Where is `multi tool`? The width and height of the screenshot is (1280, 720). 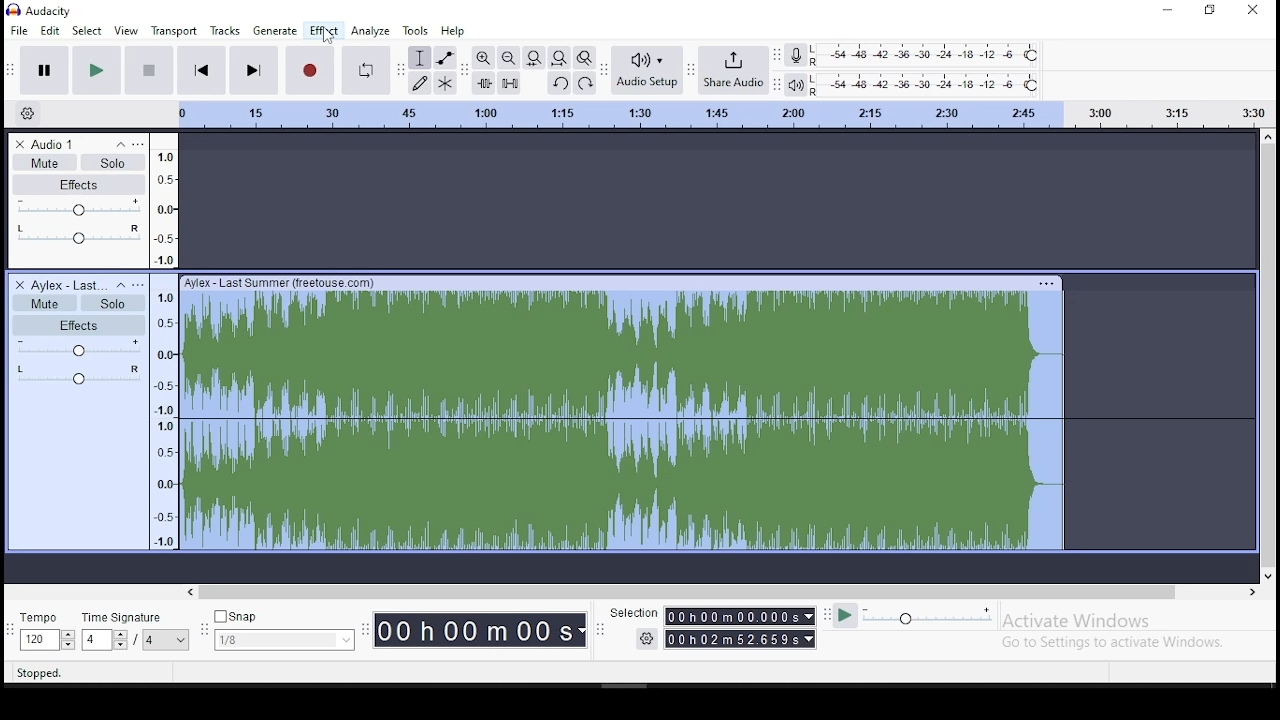
multi tool is located at coordinates (445, 83).